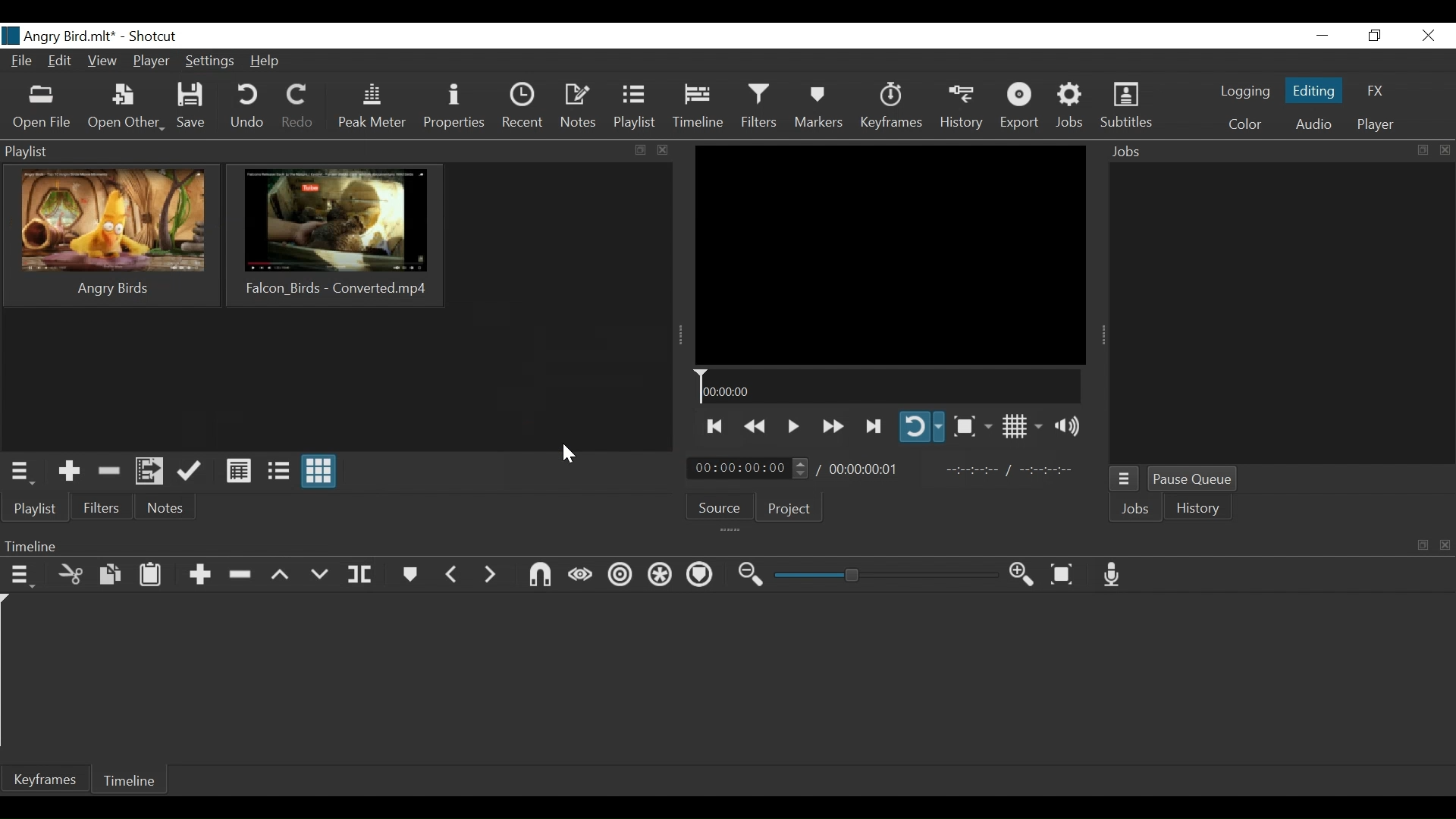 The image size is (1456, 819). I want to click on Add files to the playlist, so click(149, 472).